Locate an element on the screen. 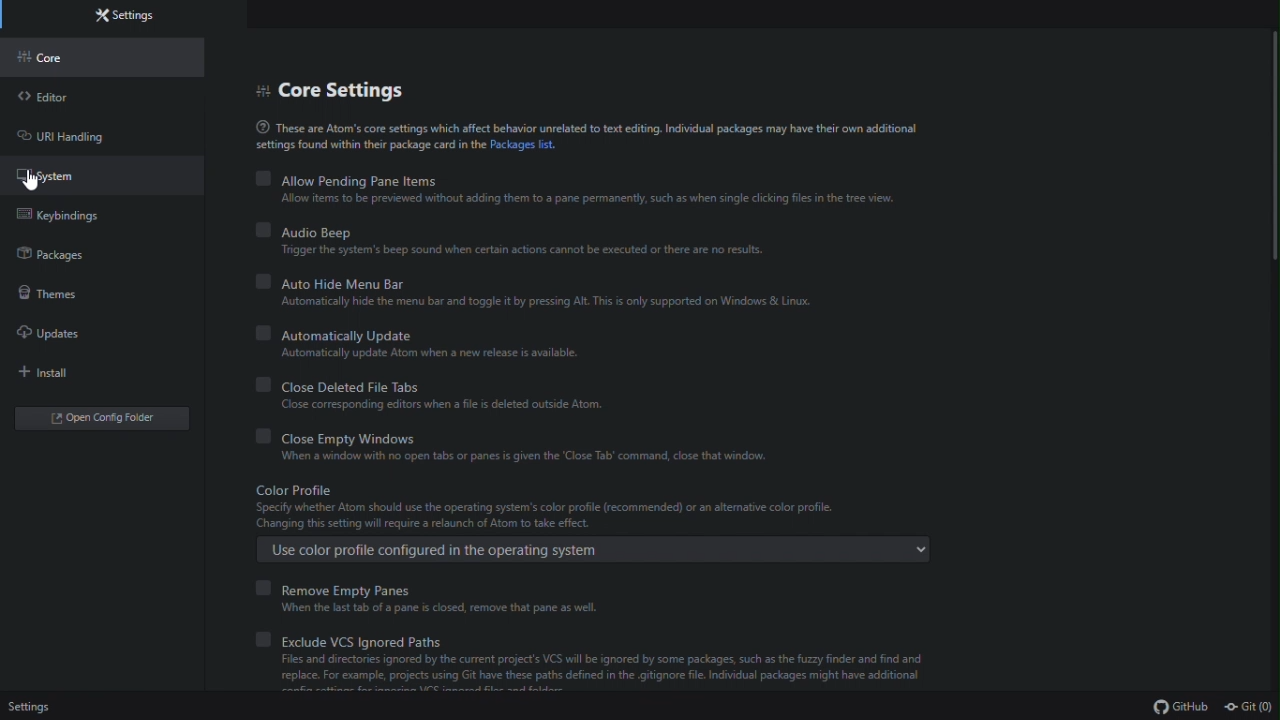 The height and width of the screenshot is (720, 1280). gtihub is located at coordinates (1181, 708).